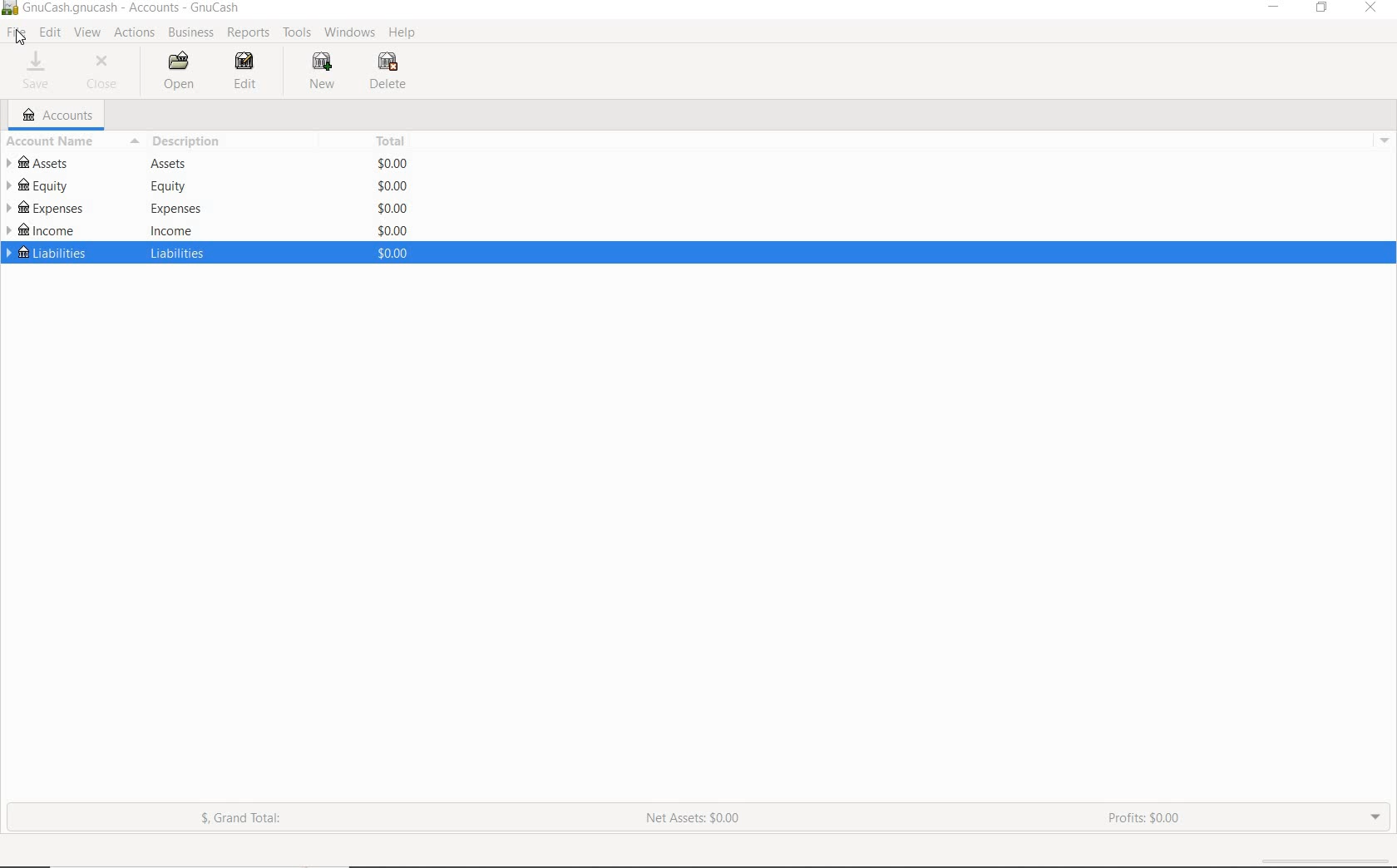  What do you see at coordinates (40, 71) in the screenshot?
I see `SAVE` at bounding box center [40, 71].